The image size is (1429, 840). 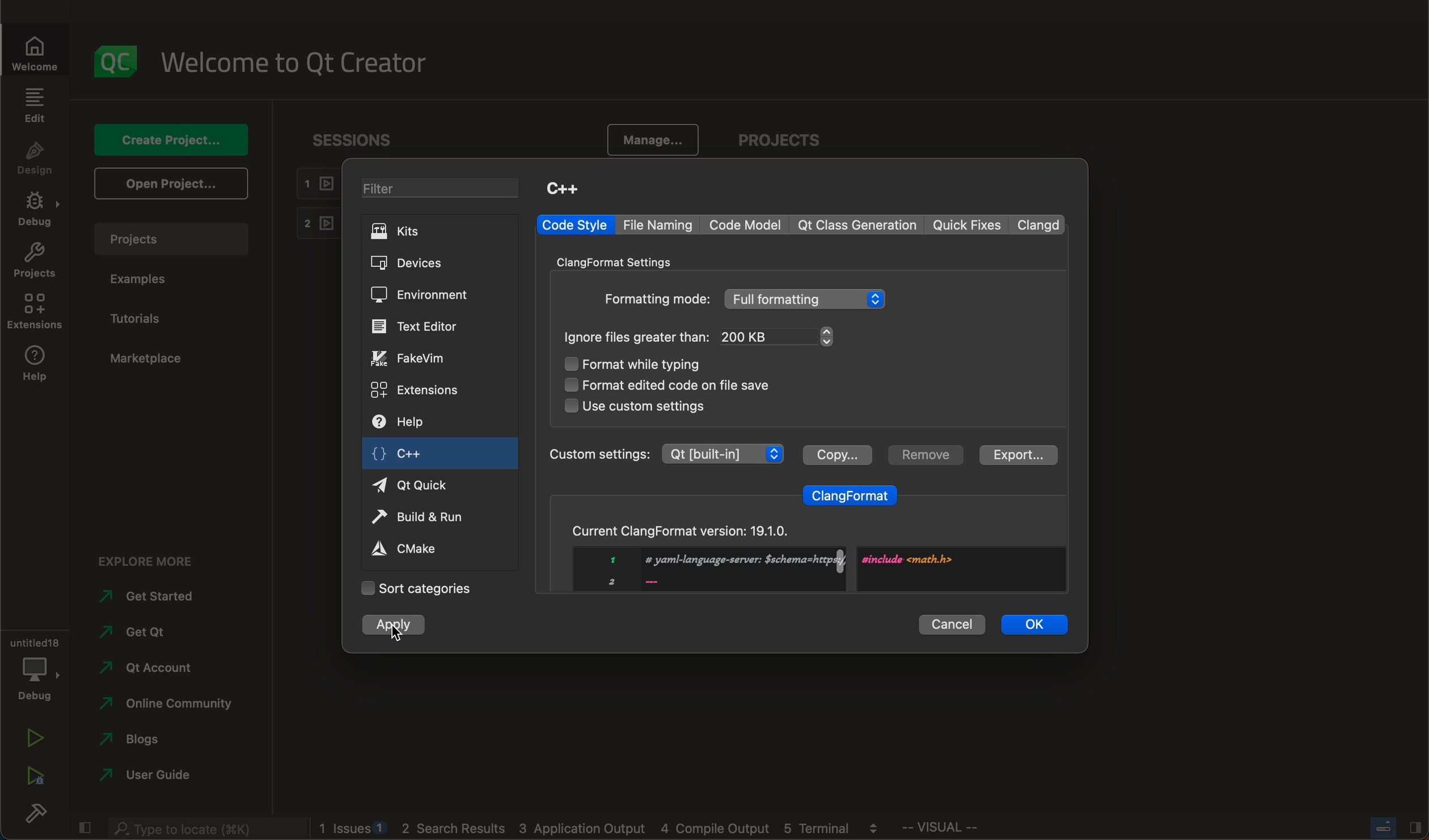 What do you see at coordinates (785, 142) in the screenshot?
I see `projects` at bounding box center [785, 142].